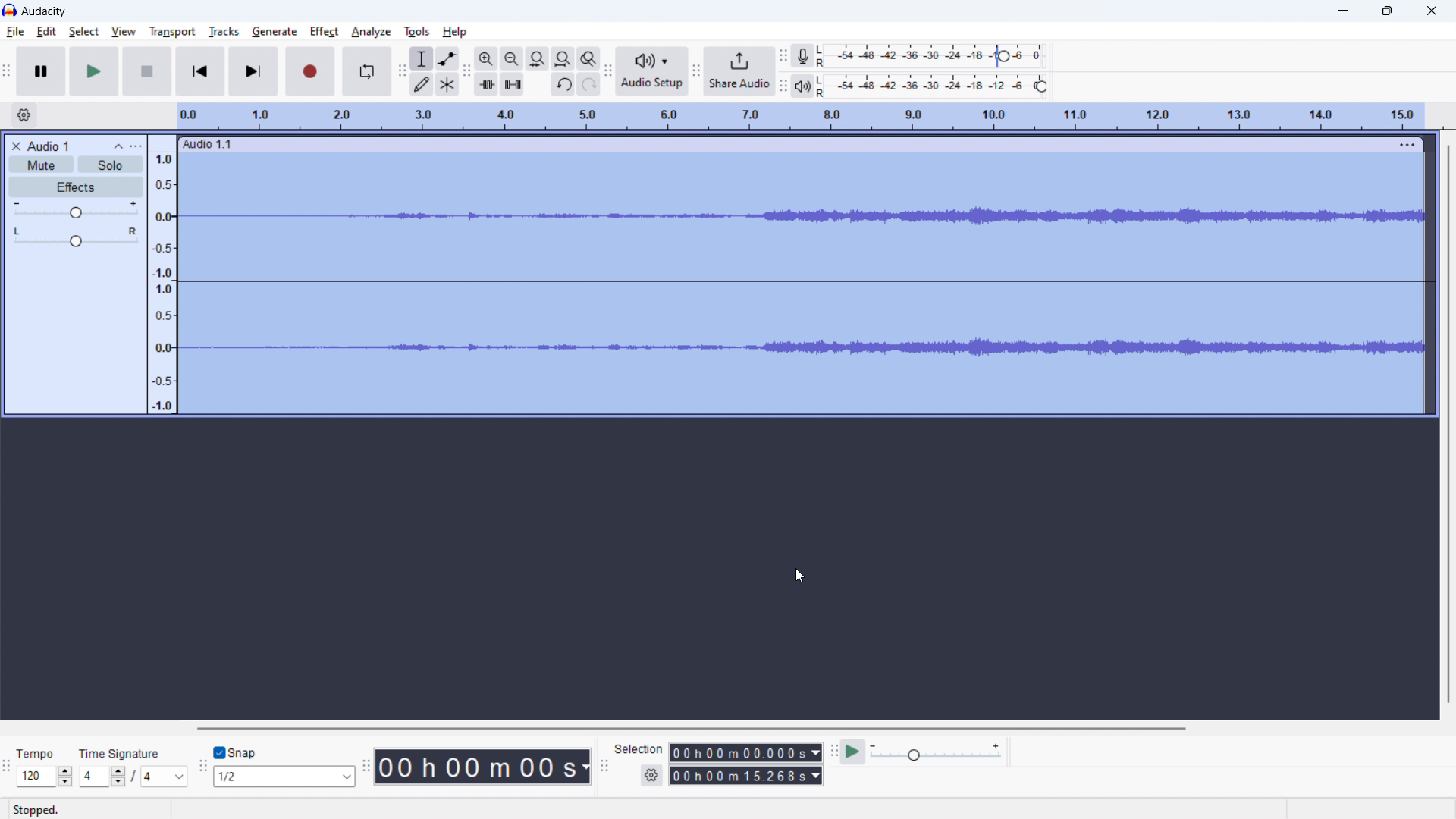 Image resolution: width=1456 pixels, height=819 pixels. I want to click on close, so click(1432, 11).